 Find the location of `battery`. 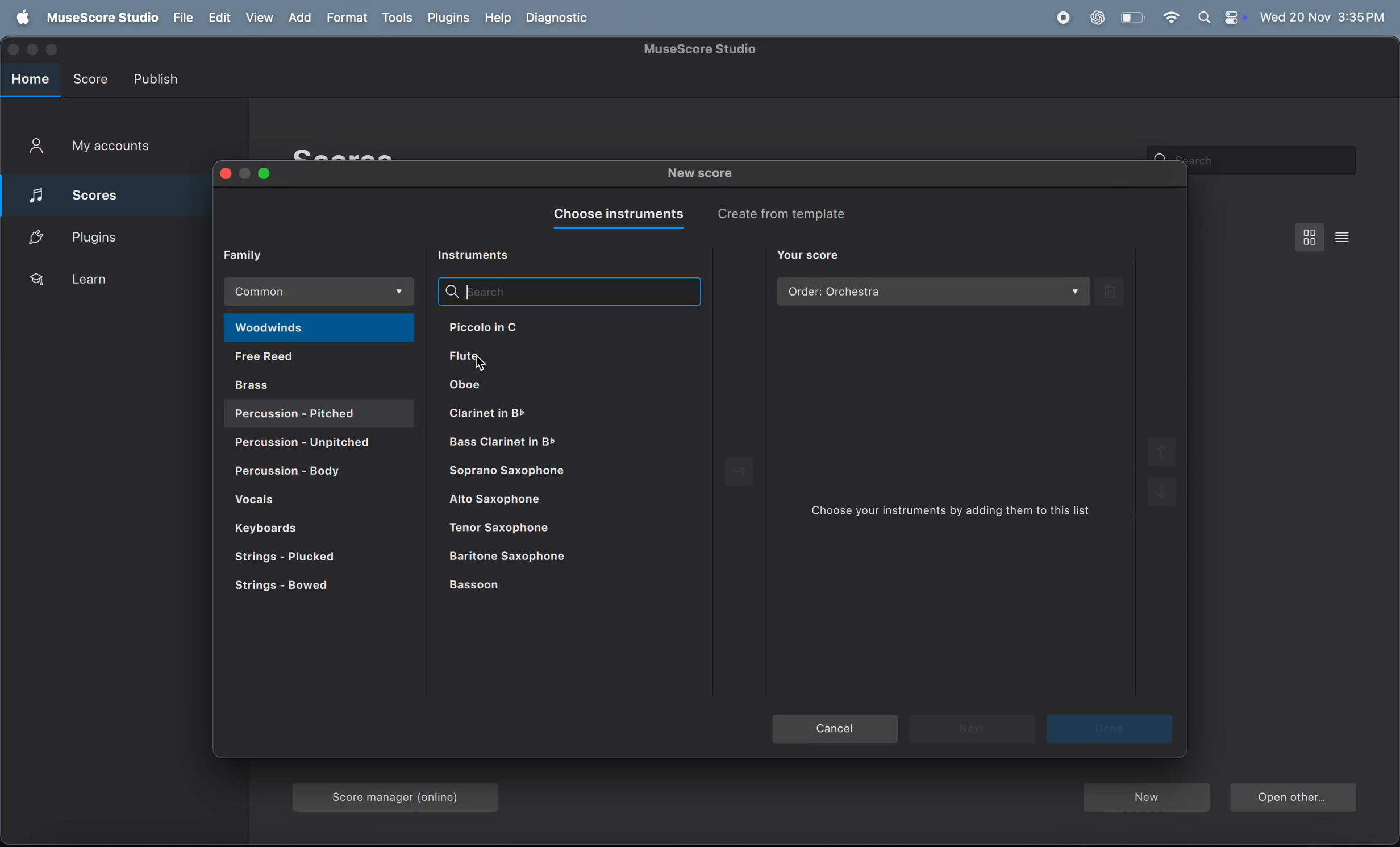

battery is located at coordinates (1131, 18).